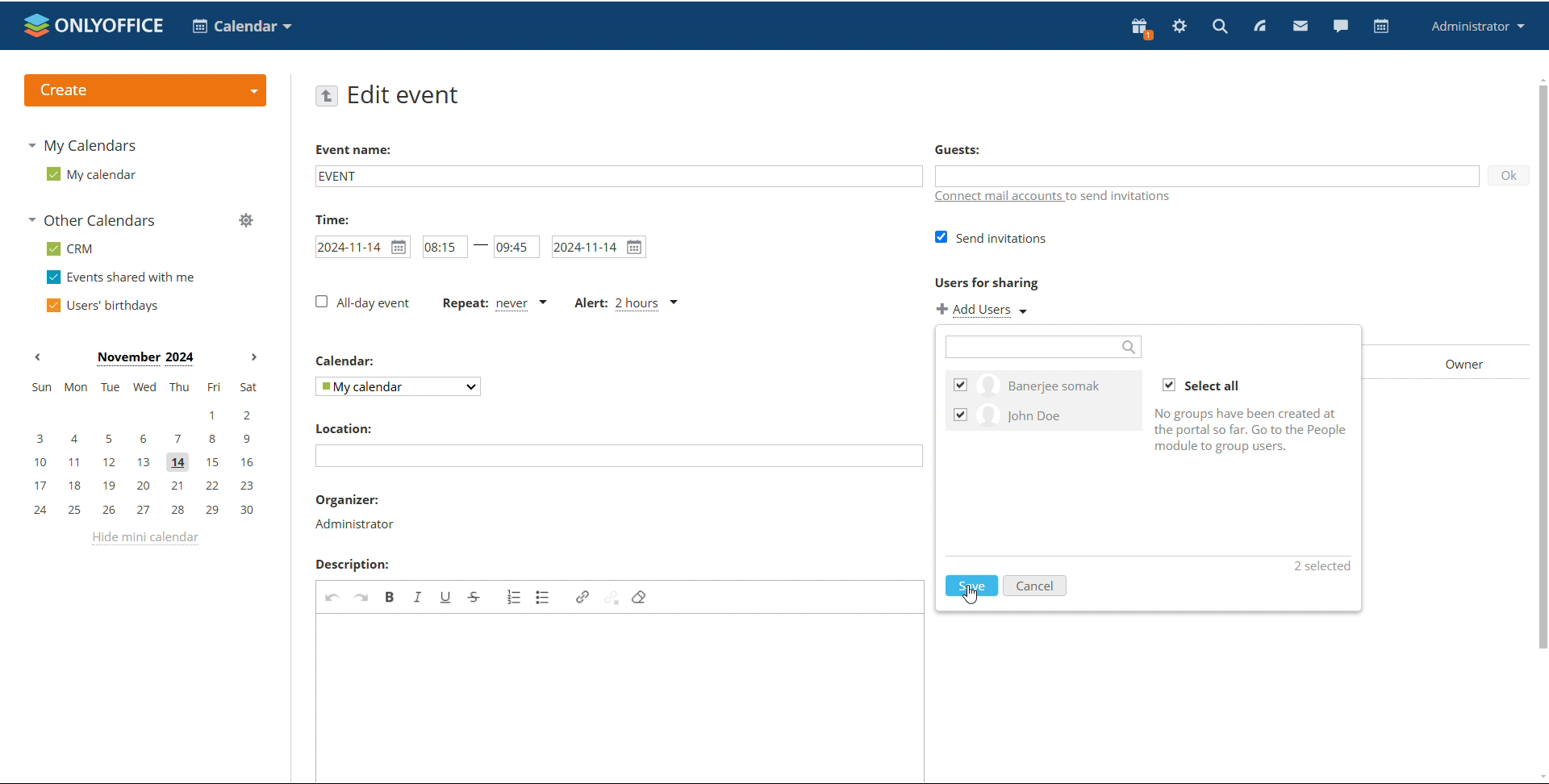  Describe the element at coordinates (1475, 27) in the screenshot. I see `profile` at that location.